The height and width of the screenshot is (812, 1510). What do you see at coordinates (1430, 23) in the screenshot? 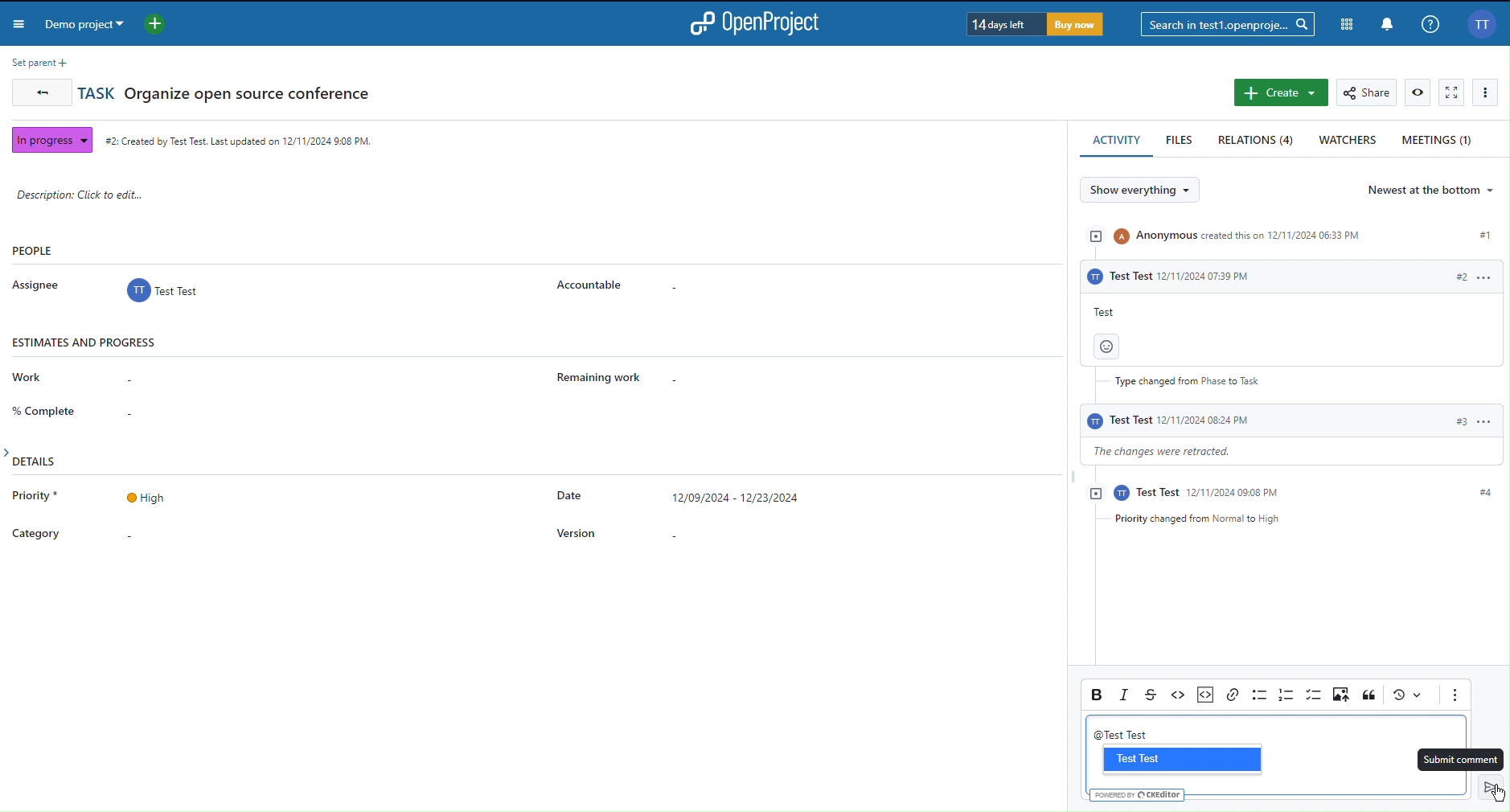
I see `Info` at bounding box center [1430, 23].